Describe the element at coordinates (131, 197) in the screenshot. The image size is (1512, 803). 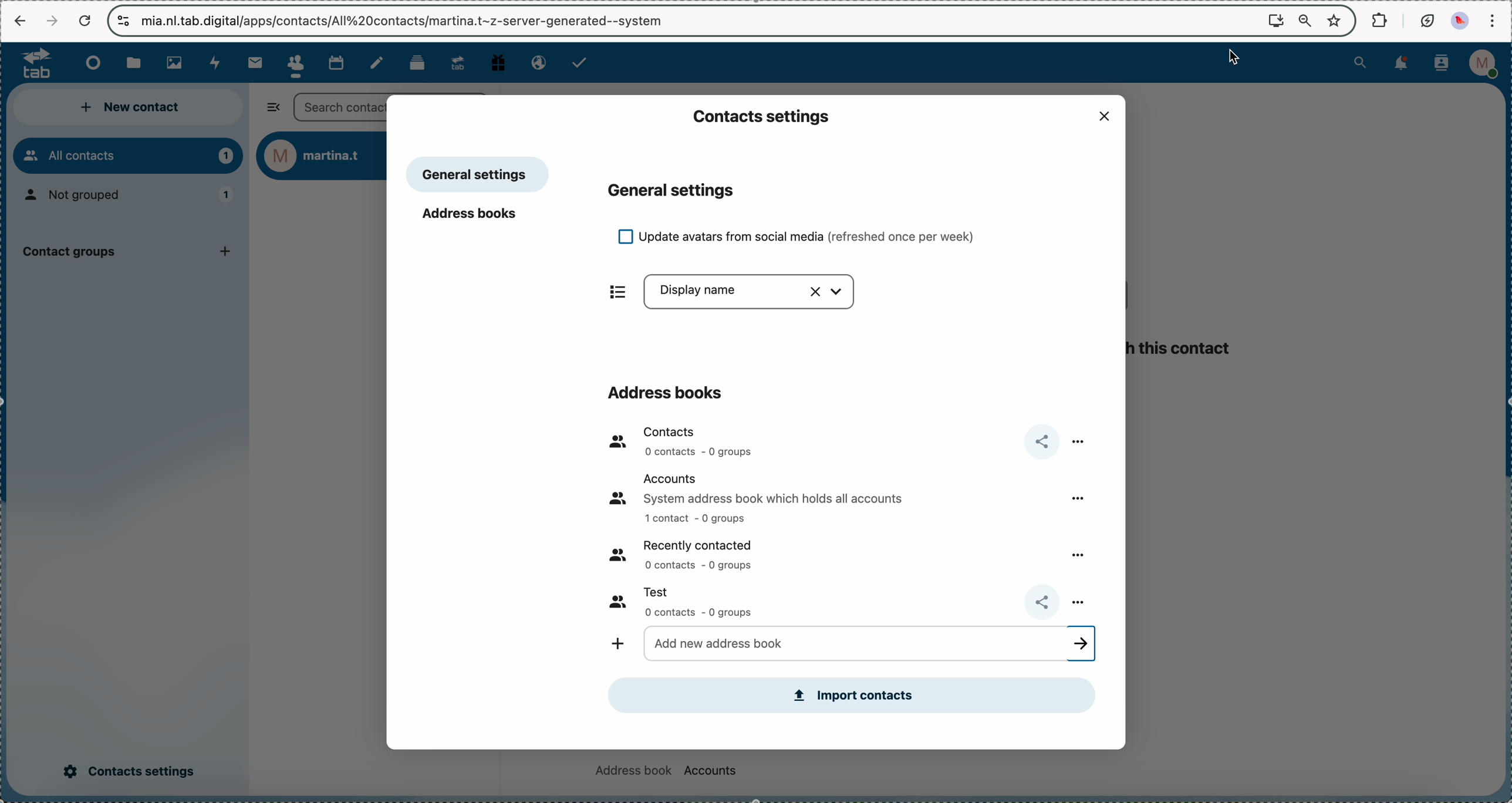
I see `not grouped` at that location.